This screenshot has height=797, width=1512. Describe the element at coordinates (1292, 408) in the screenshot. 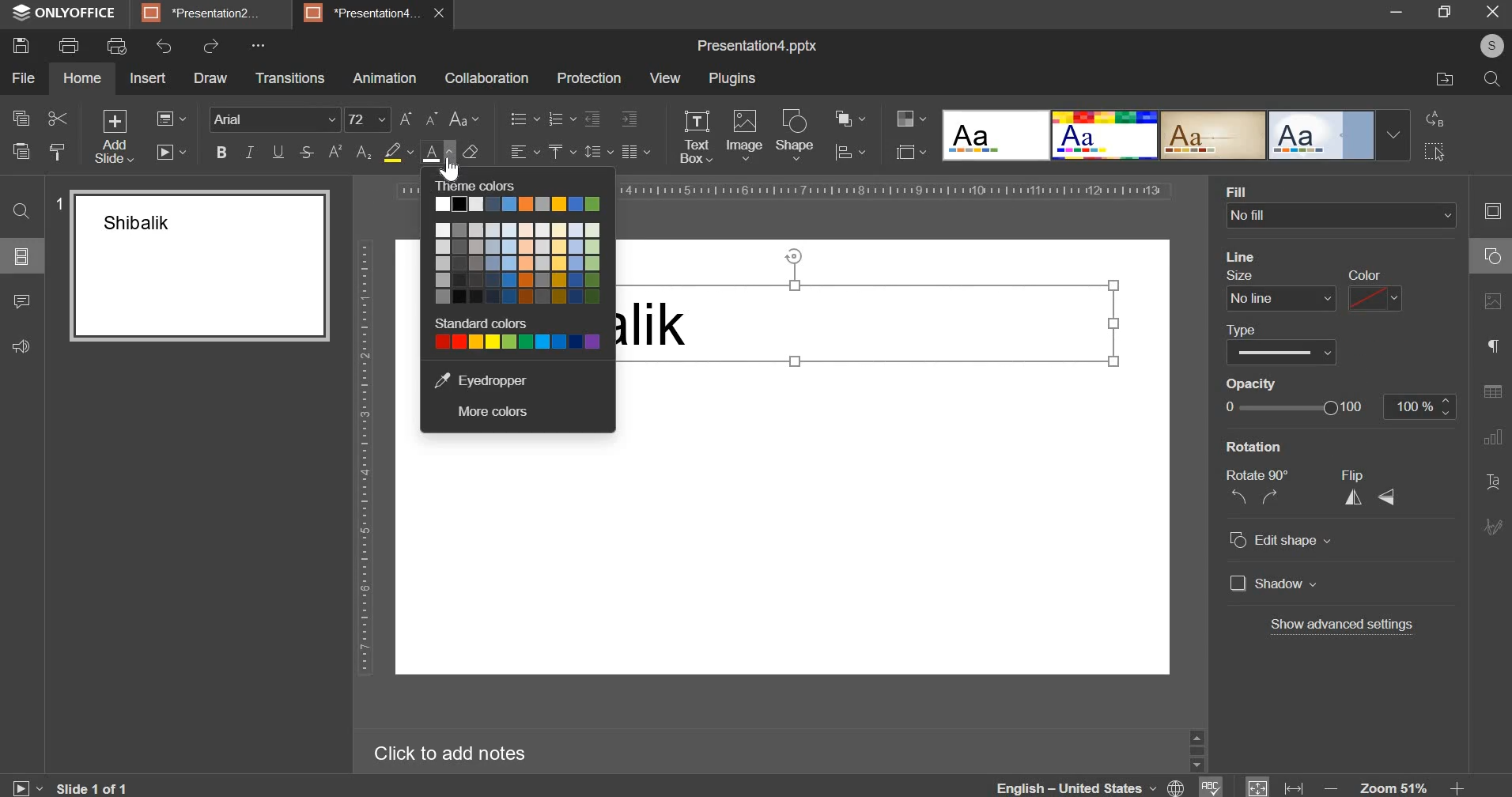

I see `opacity slider` at that location.